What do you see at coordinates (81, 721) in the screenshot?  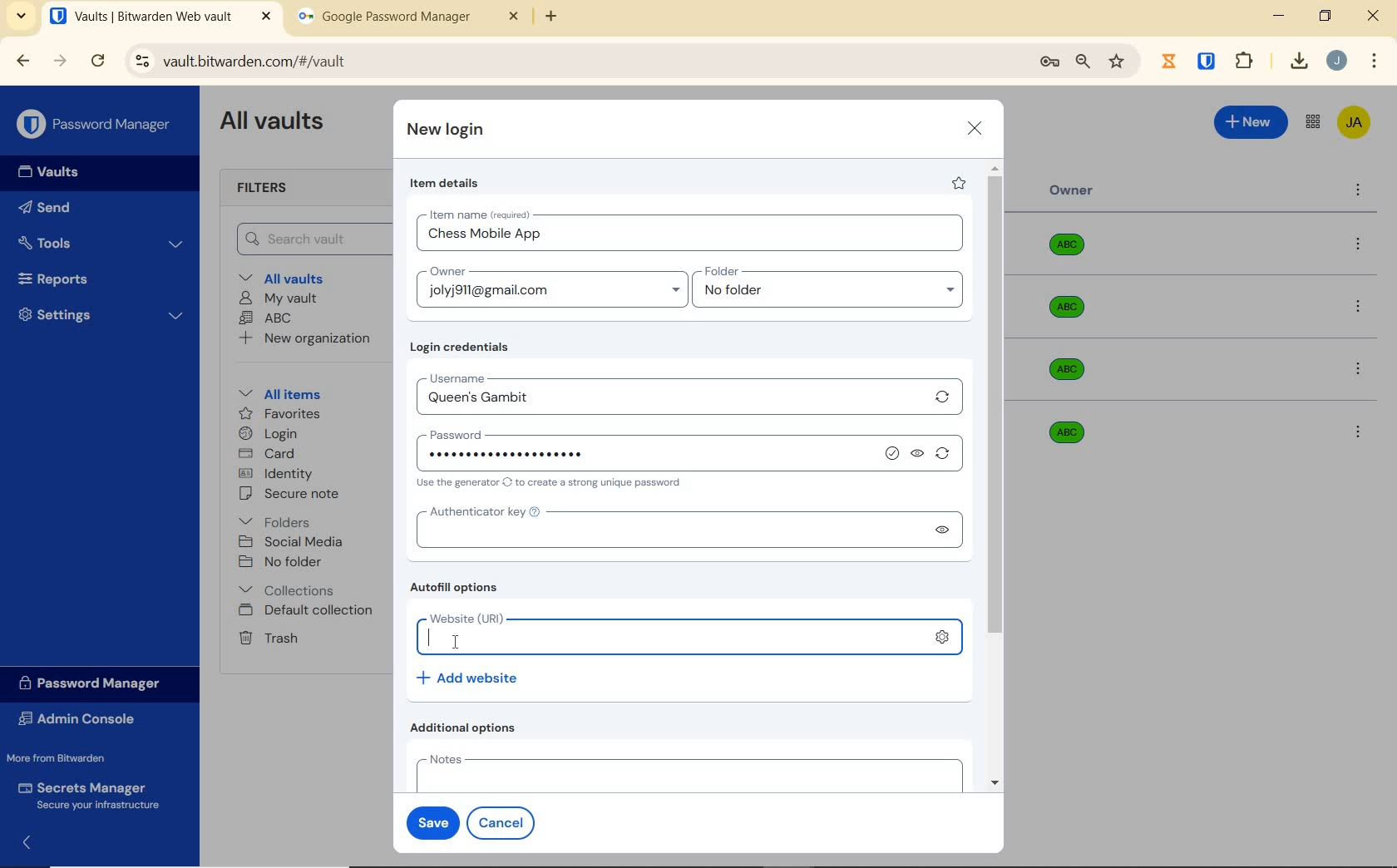 I see `Admin Console` at bounding box center [81, 721].